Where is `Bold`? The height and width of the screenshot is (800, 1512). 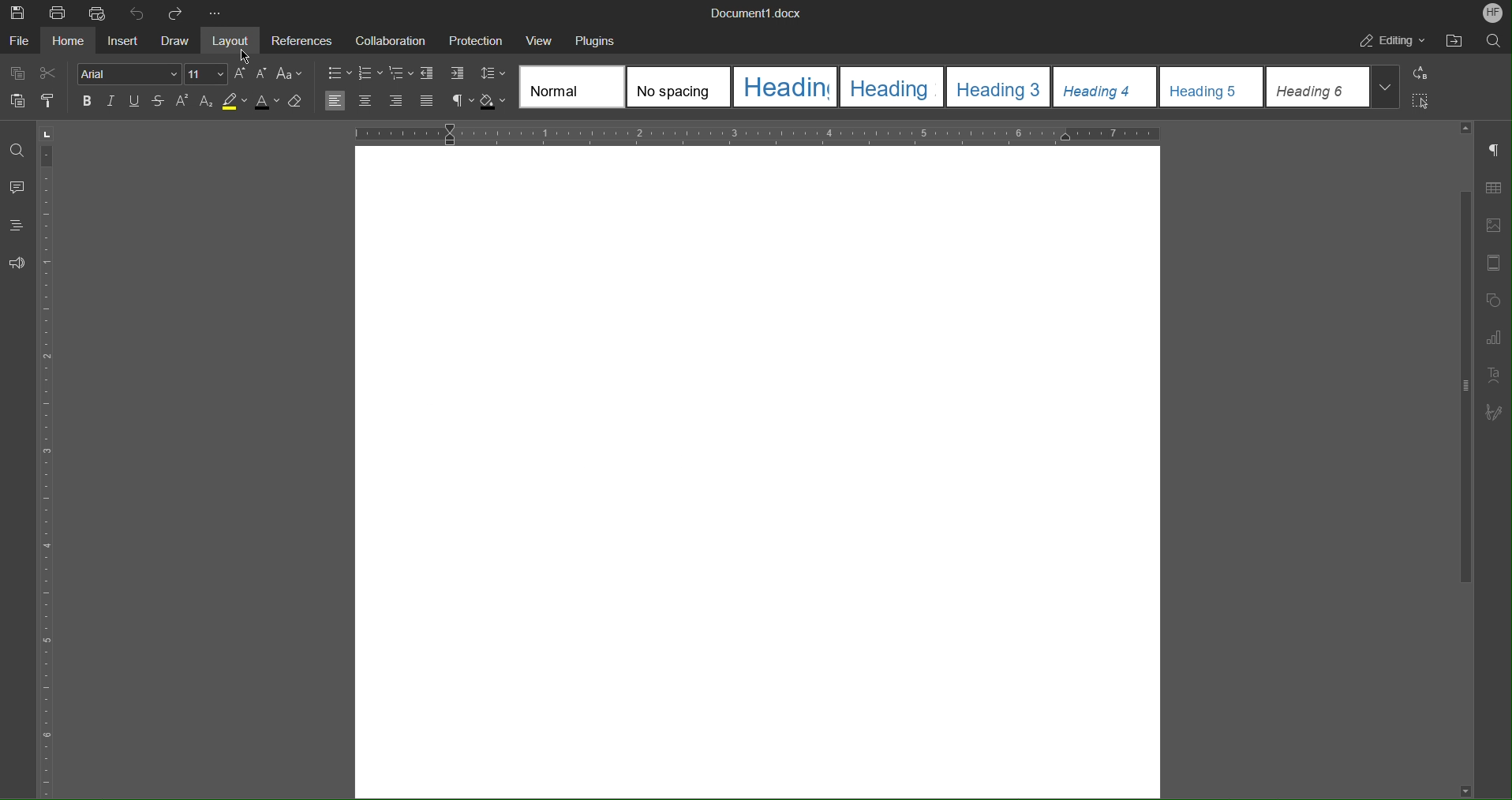 Bold is located at coordinates (88, 101).